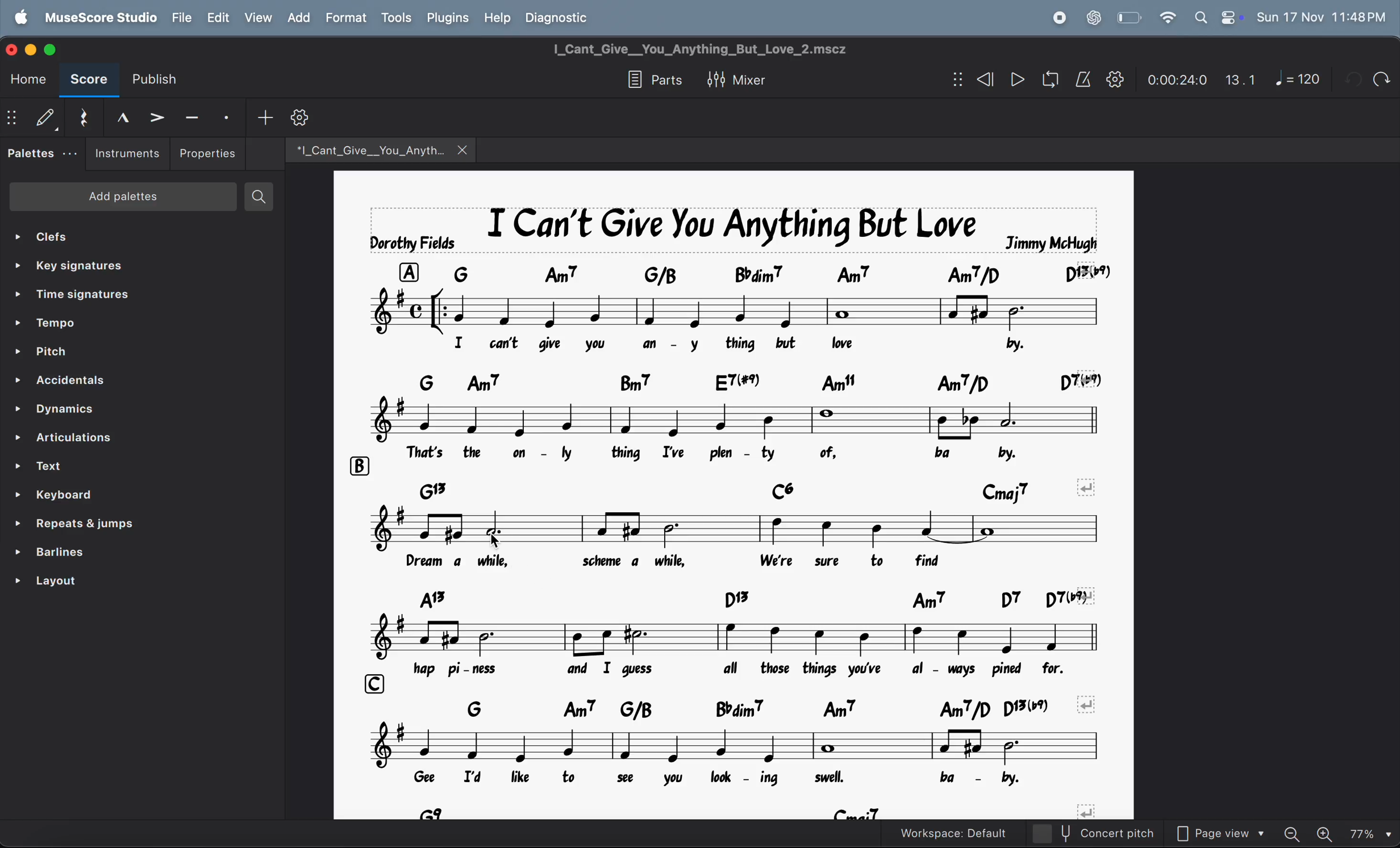  What do you see at coordinates (126, 382) in the screenshot?
I see `accidentals` at bounding box center [126, 382].